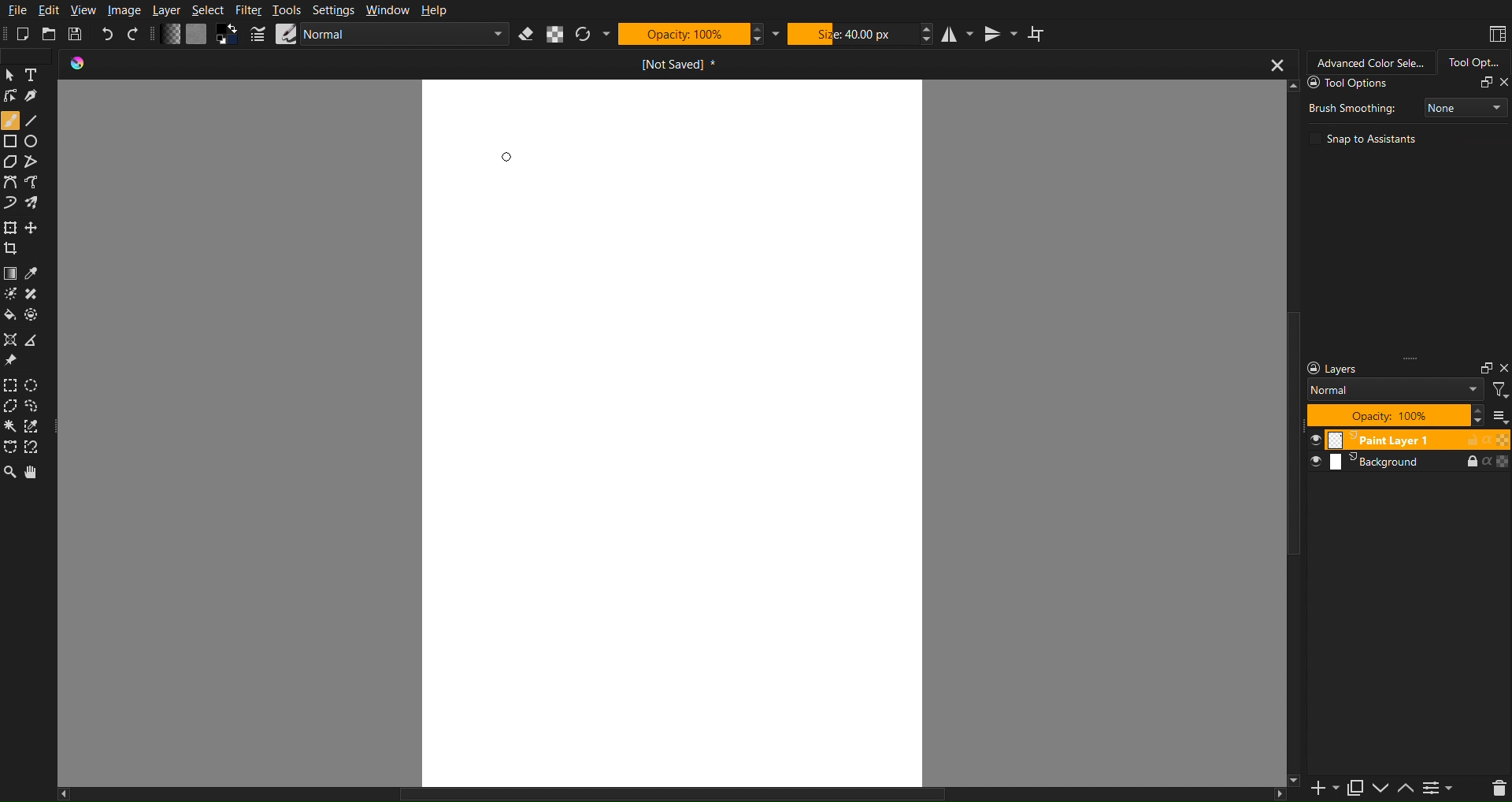 The width and height of the screenshot is (1512, 802). What do you see at coordinates (853, 34) in the screenshot?
I see `Size` at bounding box center [853, 34].